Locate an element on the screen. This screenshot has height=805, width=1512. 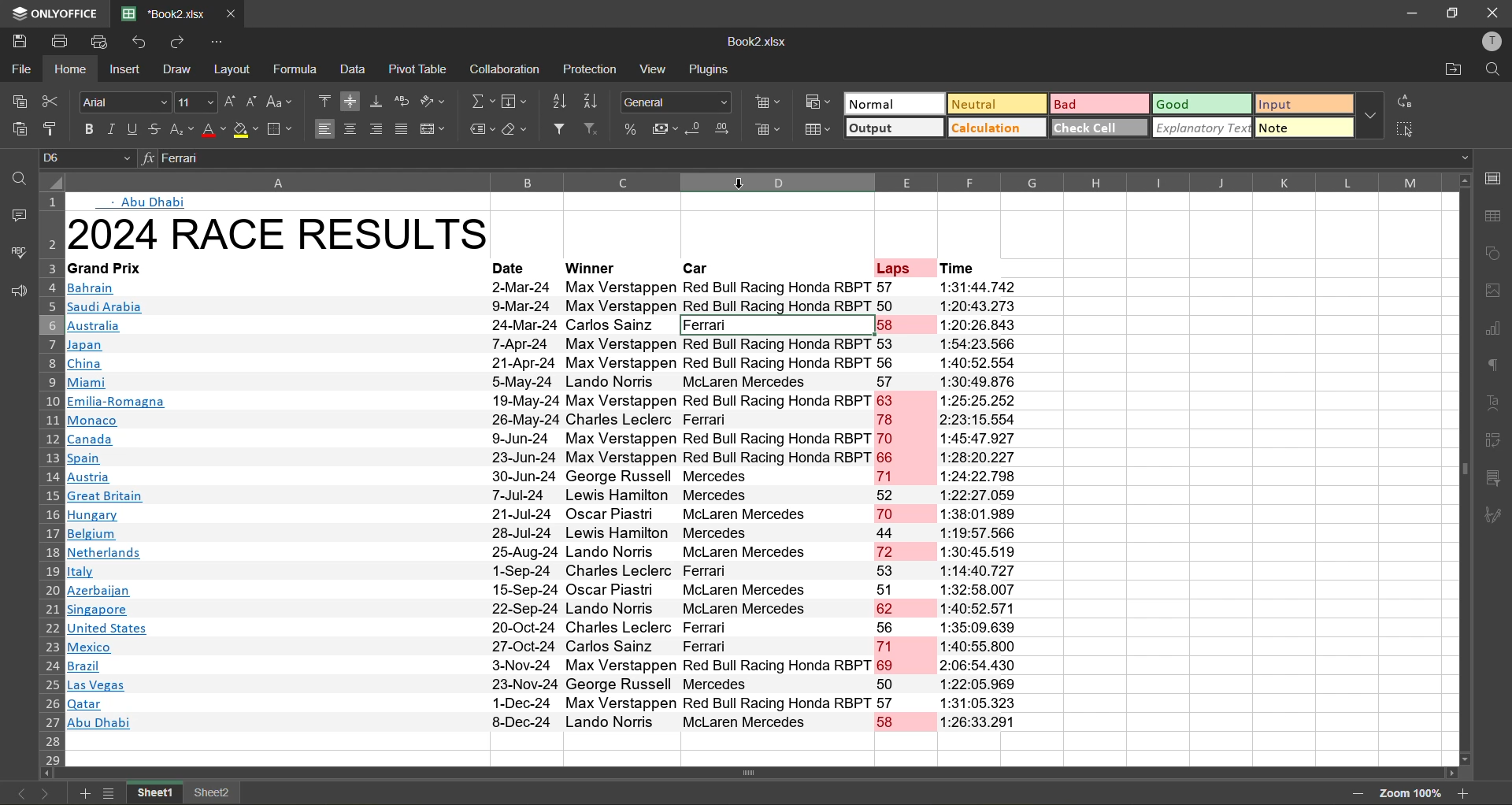
insert cells is located at coordinates (766, 103).